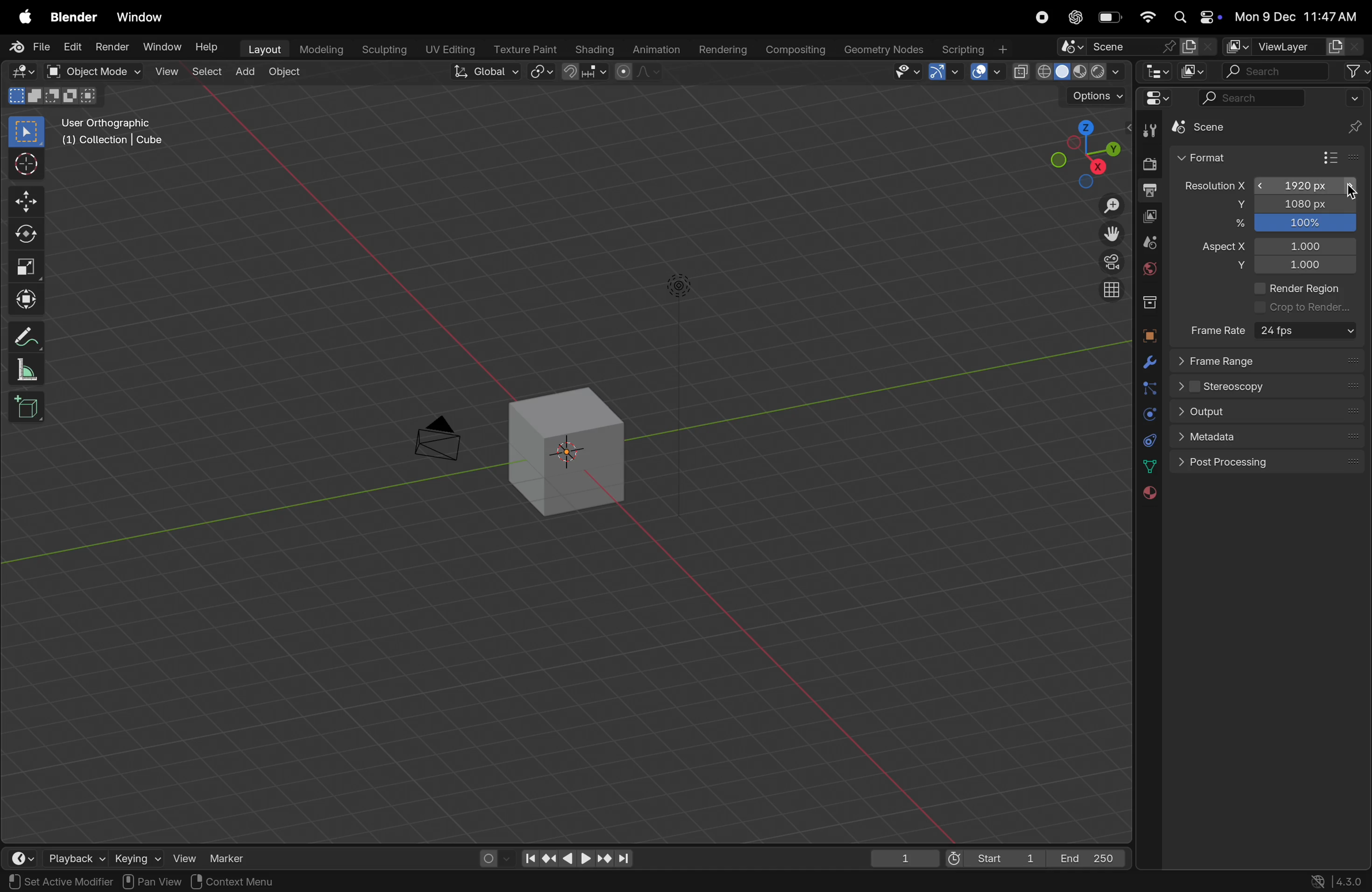 The width and height of the screenshot is (1372, 892). I want to click on visibility, so click(905, 74).